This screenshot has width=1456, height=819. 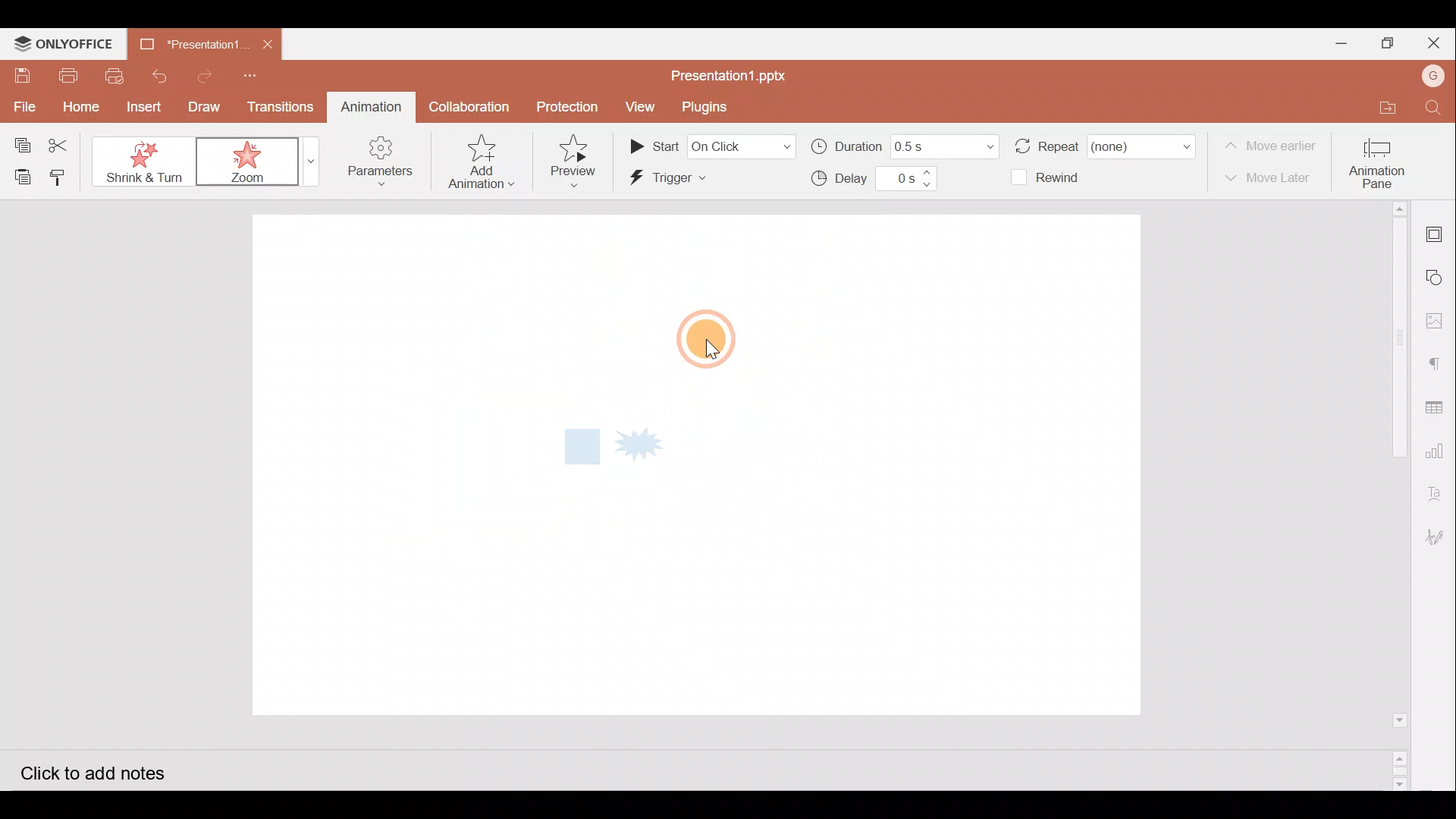 I want to click on Shapes settings, so click(x=1438, y=279).